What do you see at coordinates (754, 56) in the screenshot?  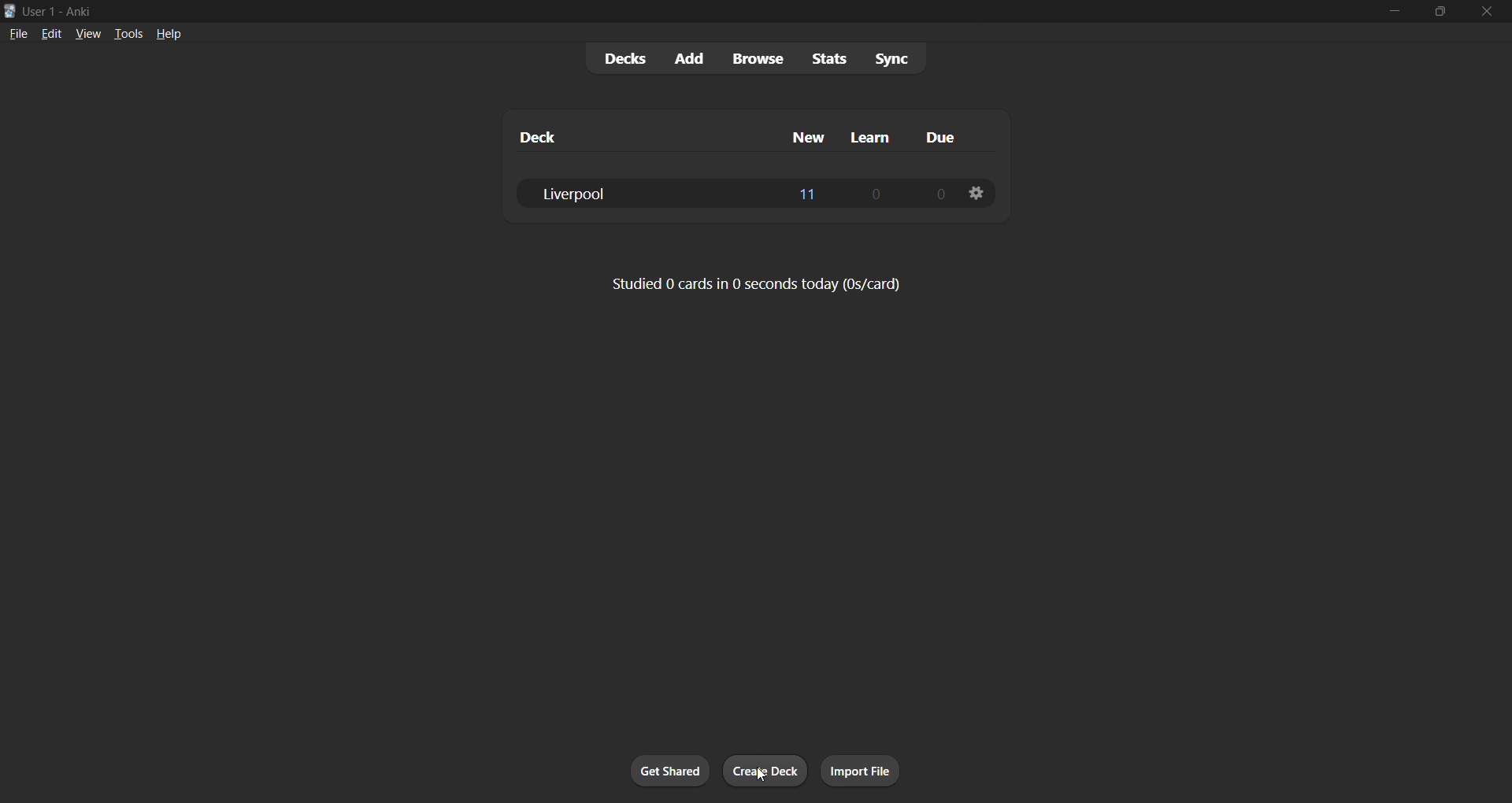 I see `browse` at bounding box center [754, 56].